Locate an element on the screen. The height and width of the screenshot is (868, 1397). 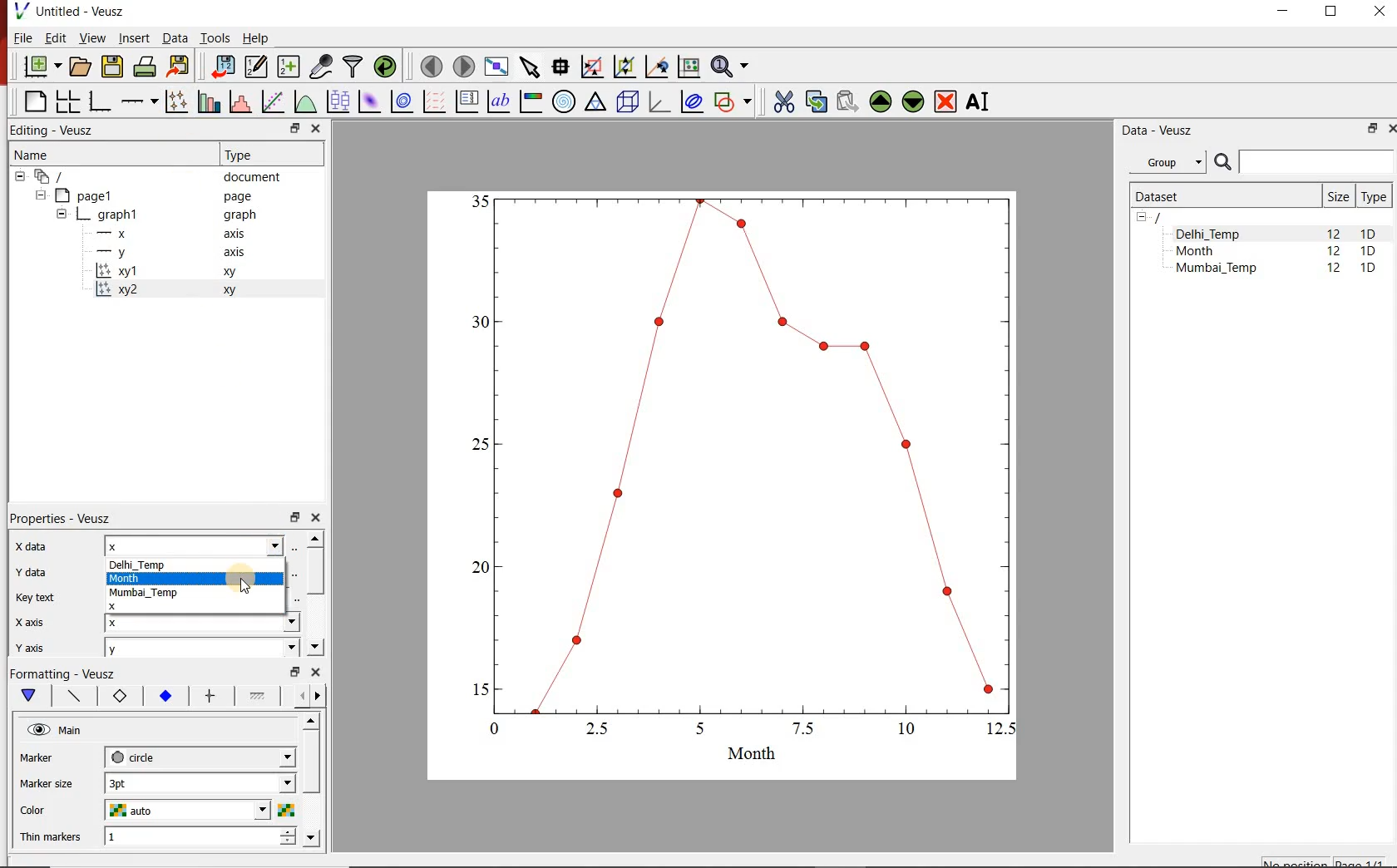
click to reset graph axes is located at coordinates (689, 67).